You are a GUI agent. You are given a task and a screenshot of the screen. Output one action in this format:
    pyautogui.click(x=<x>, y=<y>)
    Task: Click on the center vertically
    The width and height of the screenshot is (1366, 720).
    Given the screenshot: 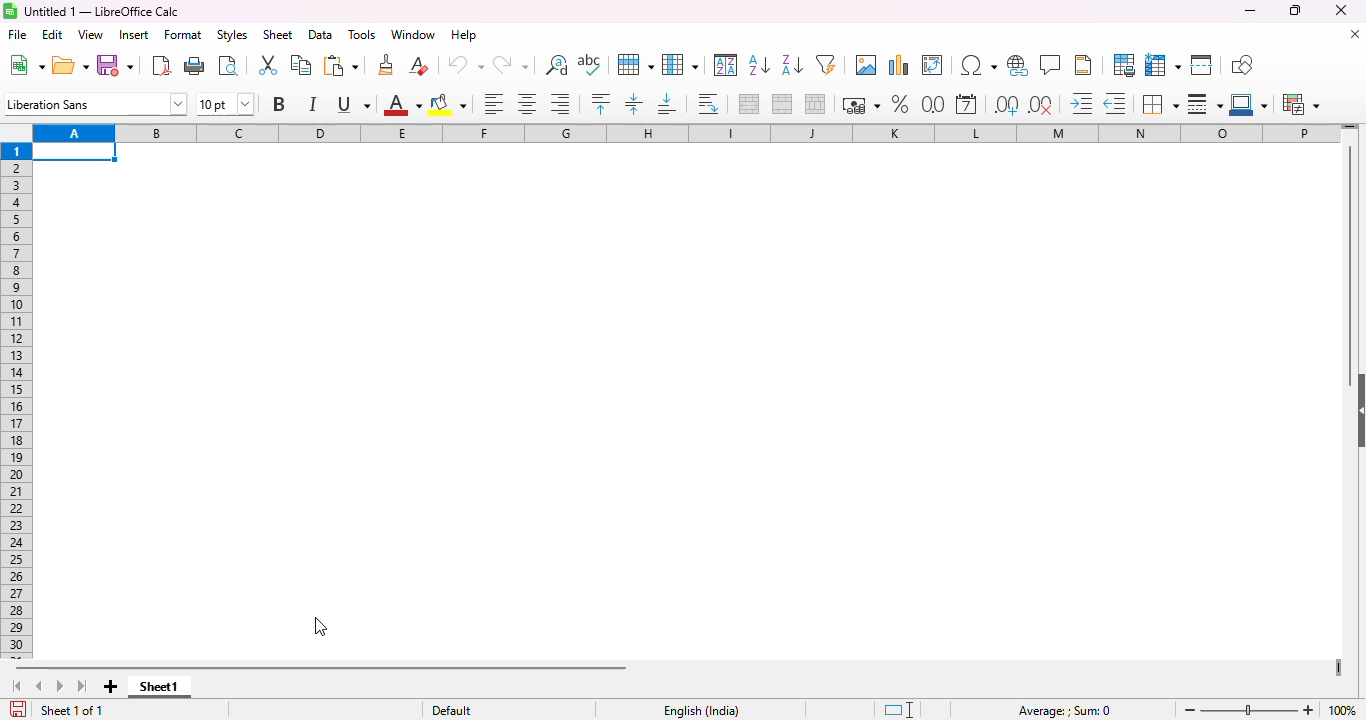 What is the action you would take?
    pyautogui.click(x=634, y=103)
    